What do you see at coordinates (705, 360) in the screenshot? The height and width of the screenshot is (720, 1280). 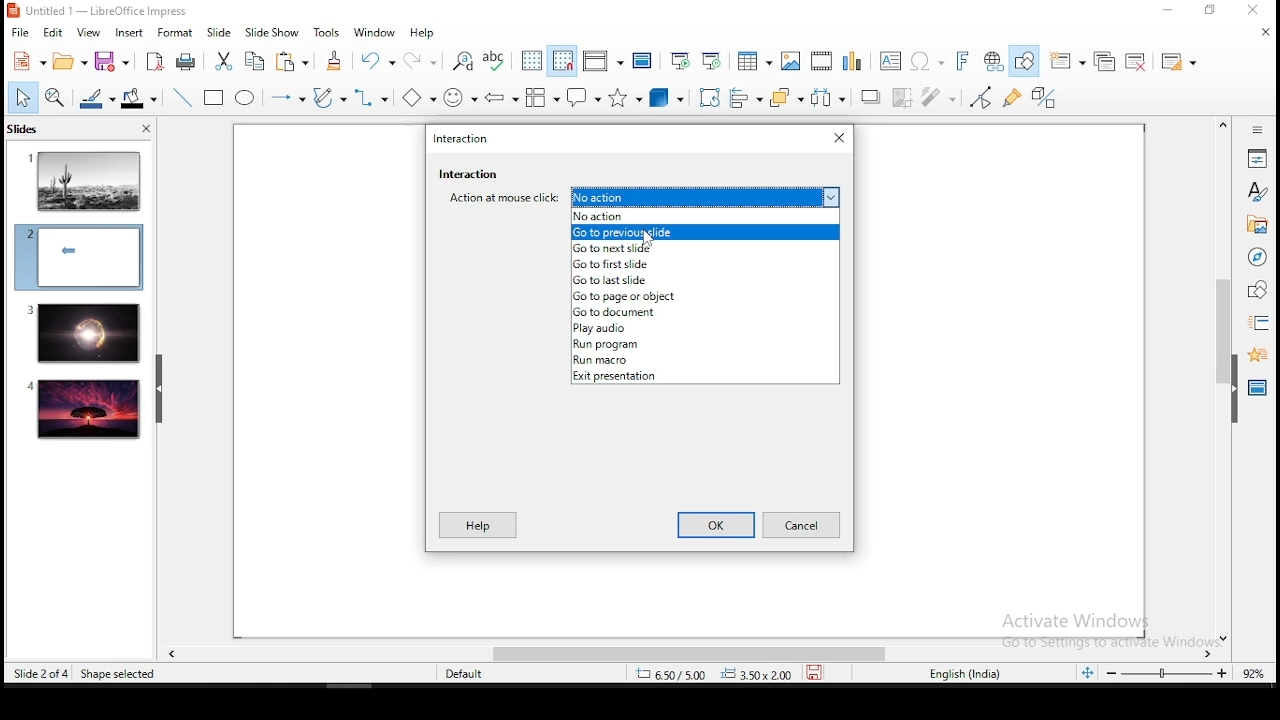 I see `run macro` at bounding box center [705, 360].